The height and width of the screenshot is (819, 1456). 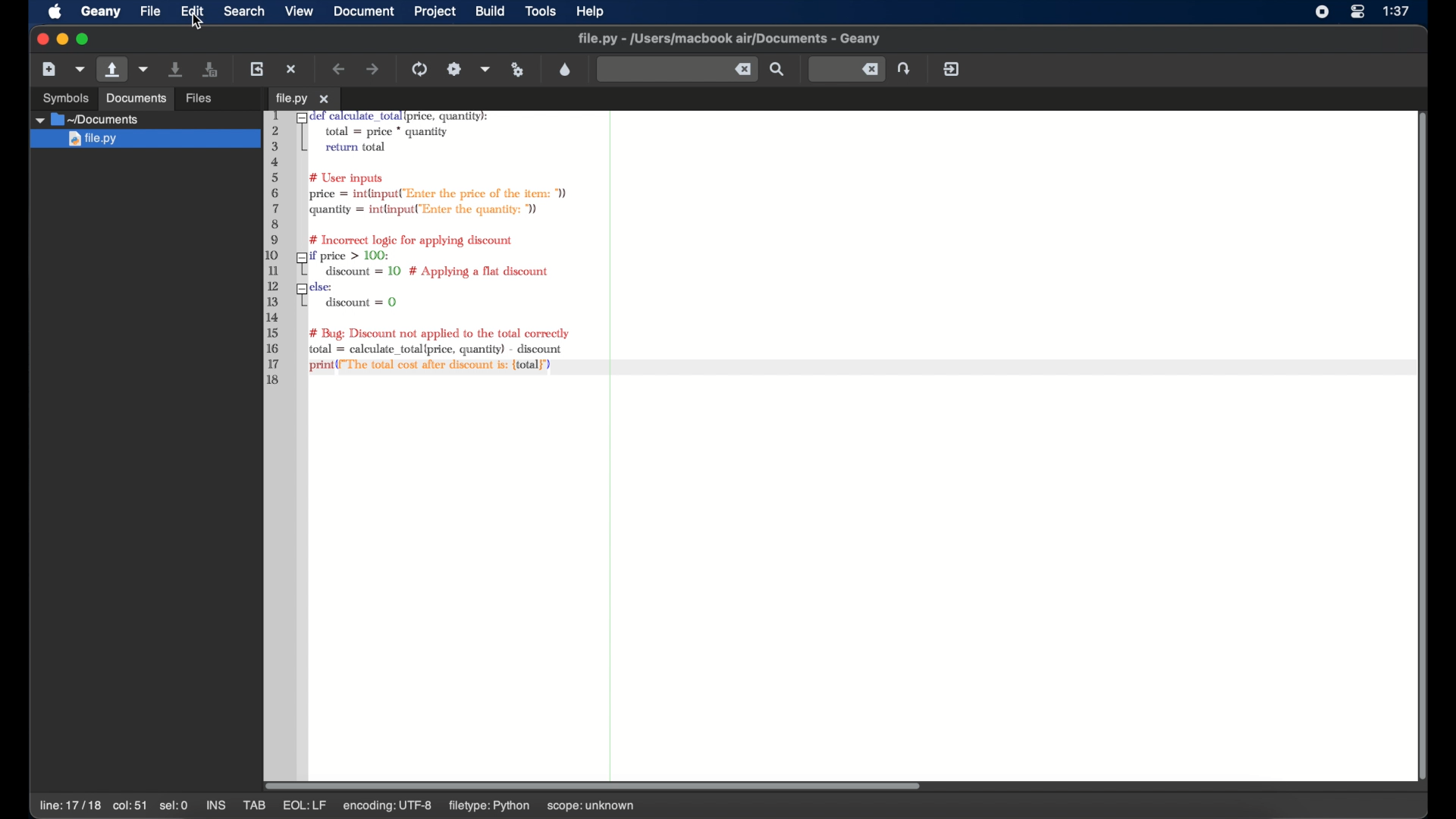 What do you see at coordinates (951, 68) in the screenshot?
I see `quit geany` at bounding box center [951, 68].